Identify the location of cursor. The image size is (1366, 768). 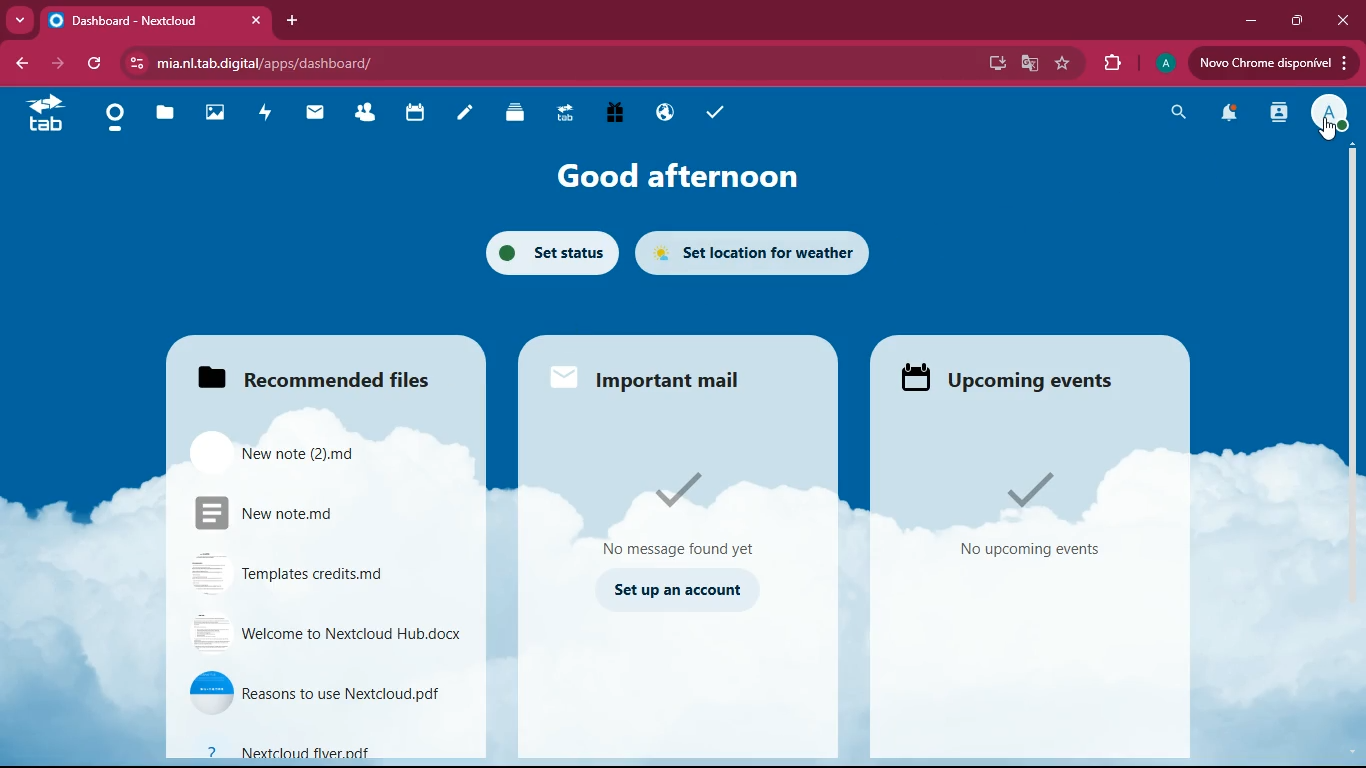
(1325, 131).